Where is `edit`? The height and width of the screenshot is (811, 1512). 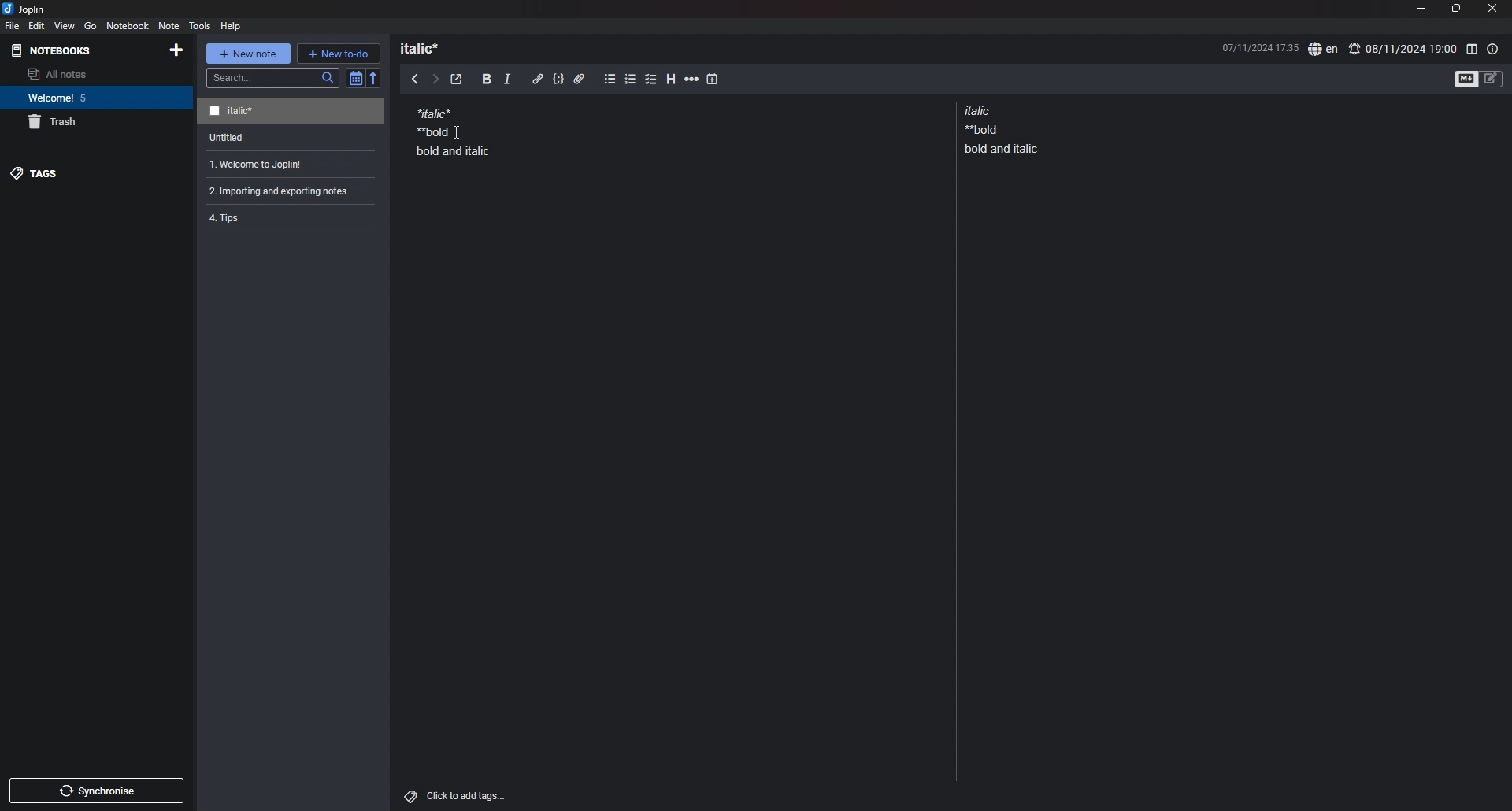
edit is located at coordinates (37, 25).